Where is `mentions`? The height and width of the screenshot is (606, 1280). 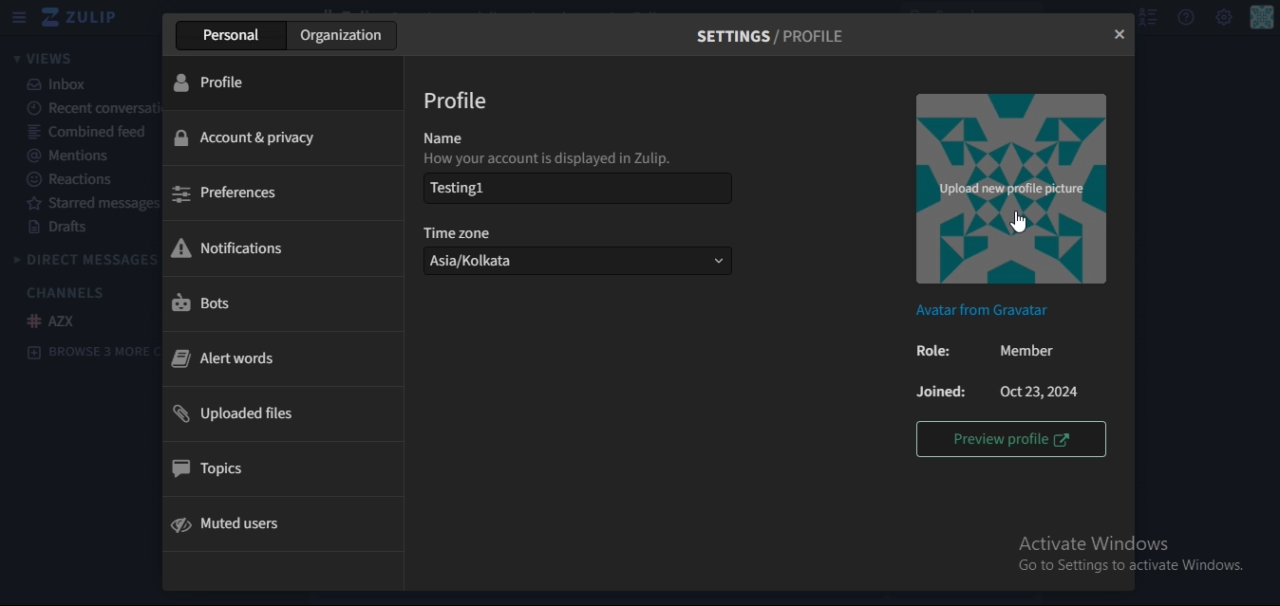
mentions is located at coordinates (79, 156).